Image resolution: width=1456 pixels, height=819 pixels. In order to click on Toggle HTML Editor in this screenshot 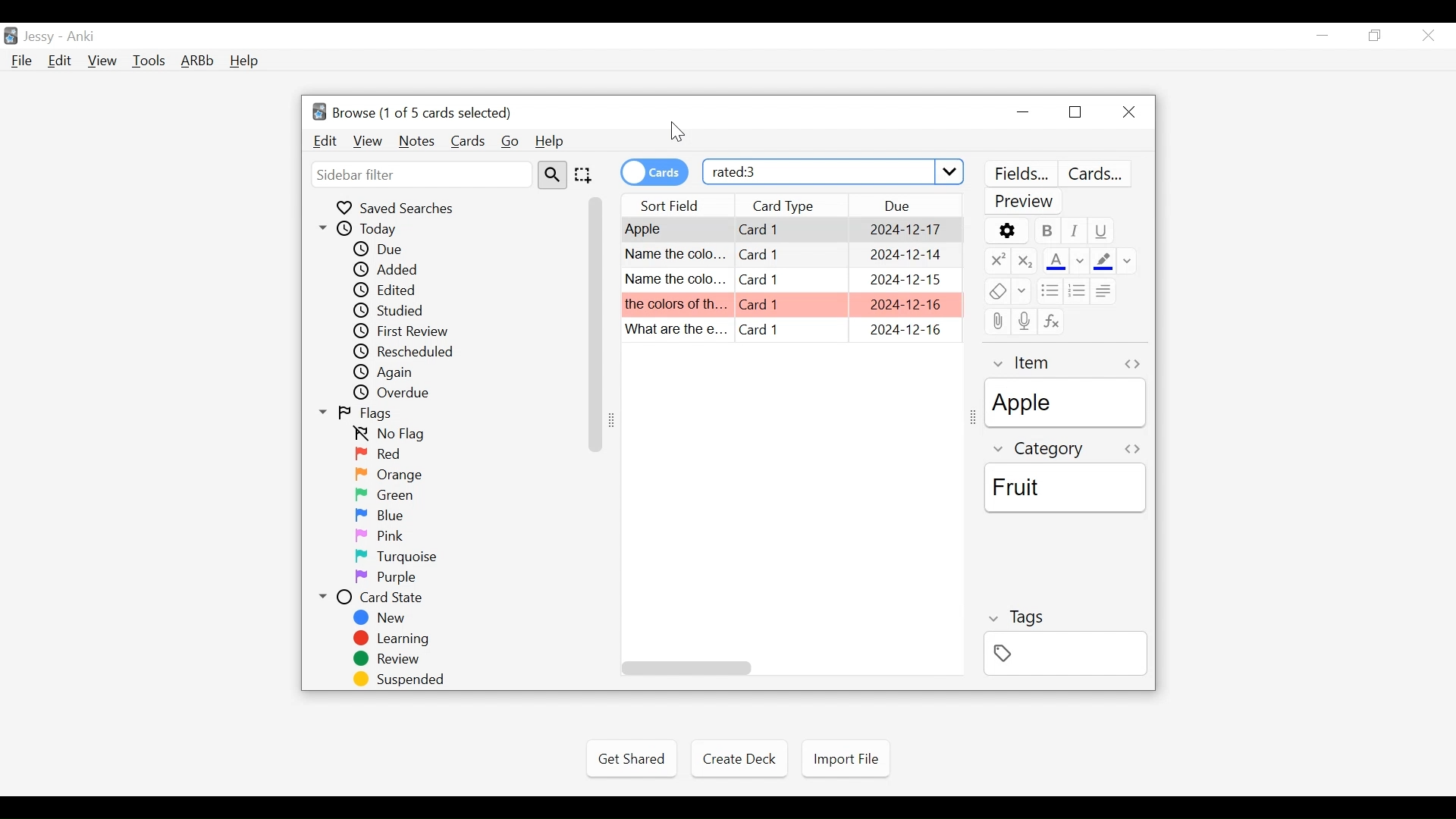, I will do `click(1131, 449)`.